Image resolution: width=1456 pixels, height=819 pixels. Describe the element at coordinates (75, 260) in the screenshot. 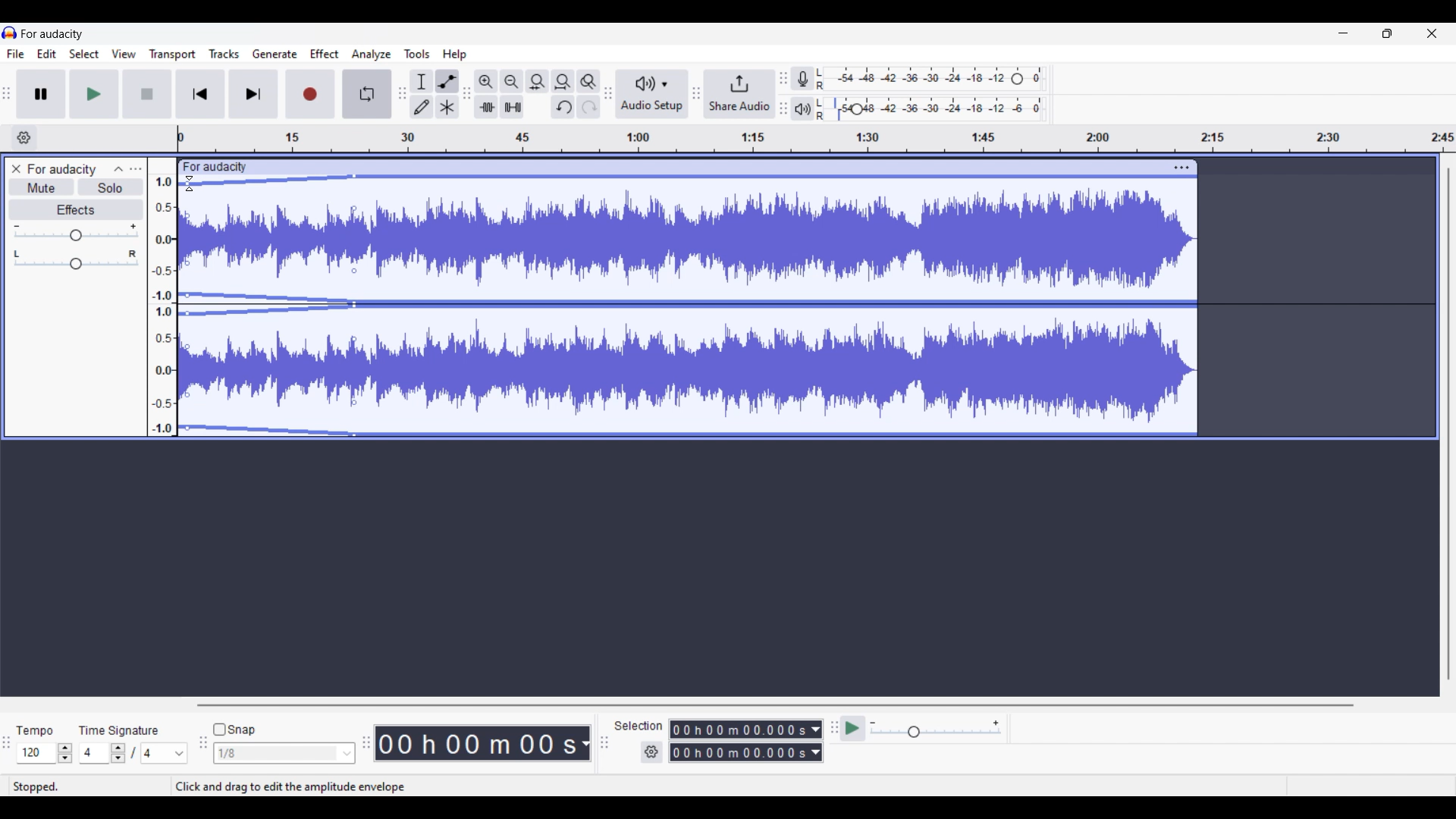

I see `Pan slider` at that location.